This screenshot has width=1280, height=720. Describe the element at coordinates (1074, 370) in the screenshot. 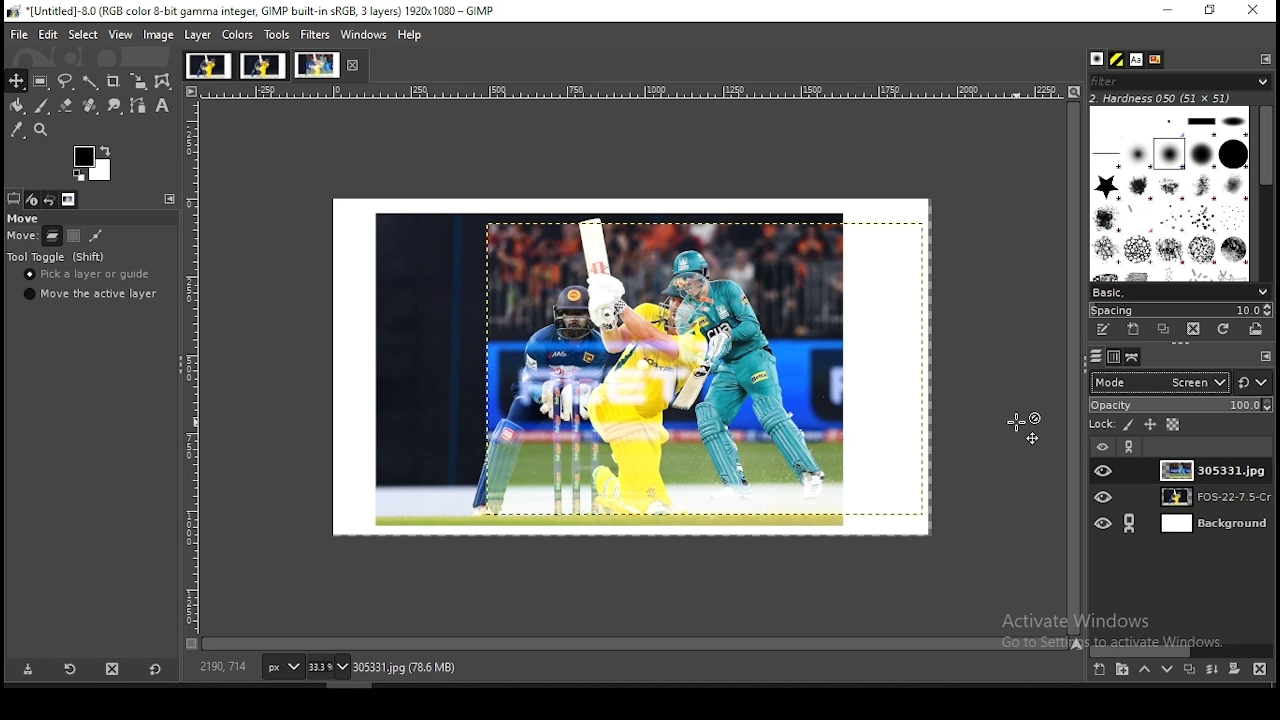

I see `scroll bar` at that location.